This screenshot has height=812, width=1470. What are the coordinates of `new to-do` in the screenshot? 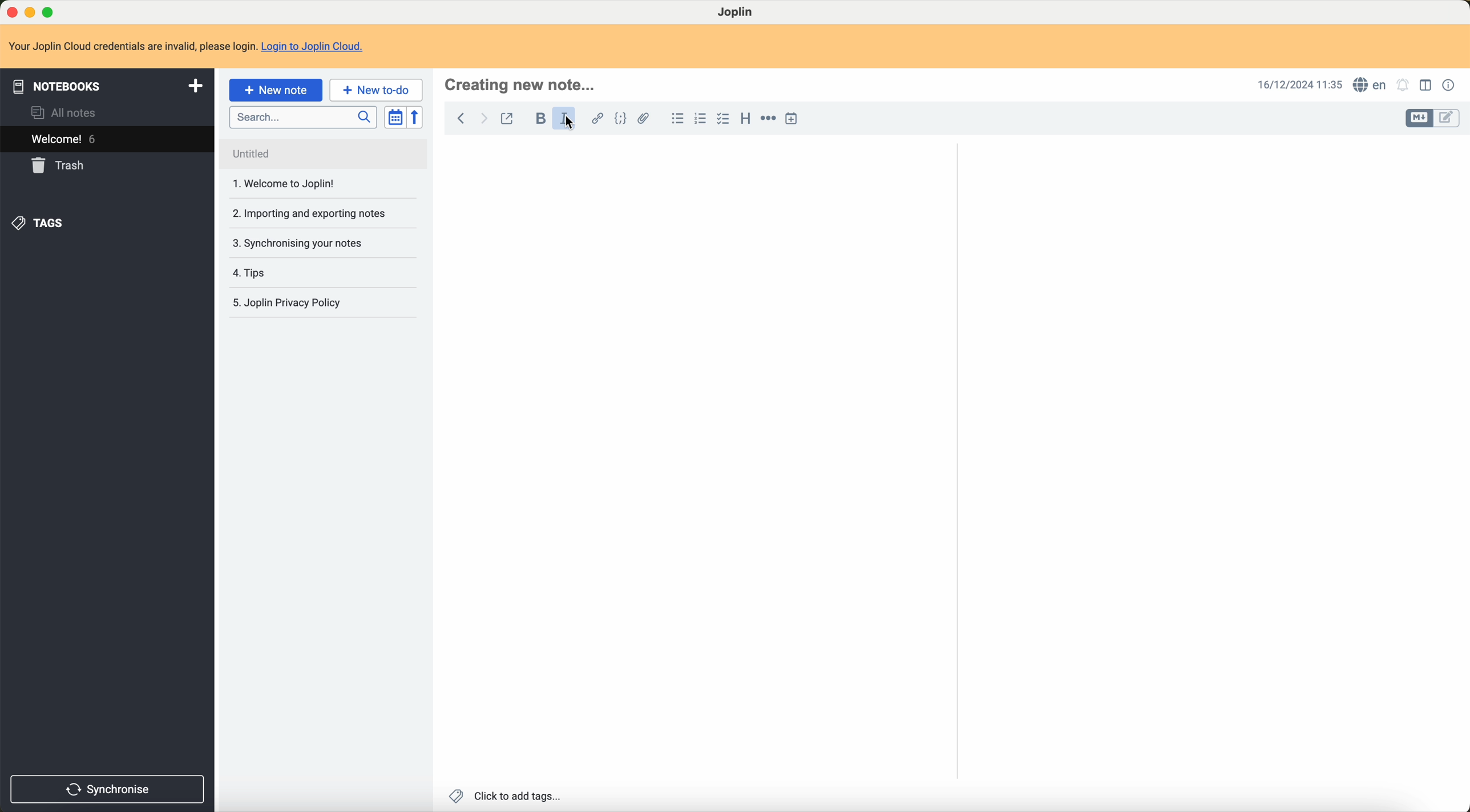 It's located at (377, 90).